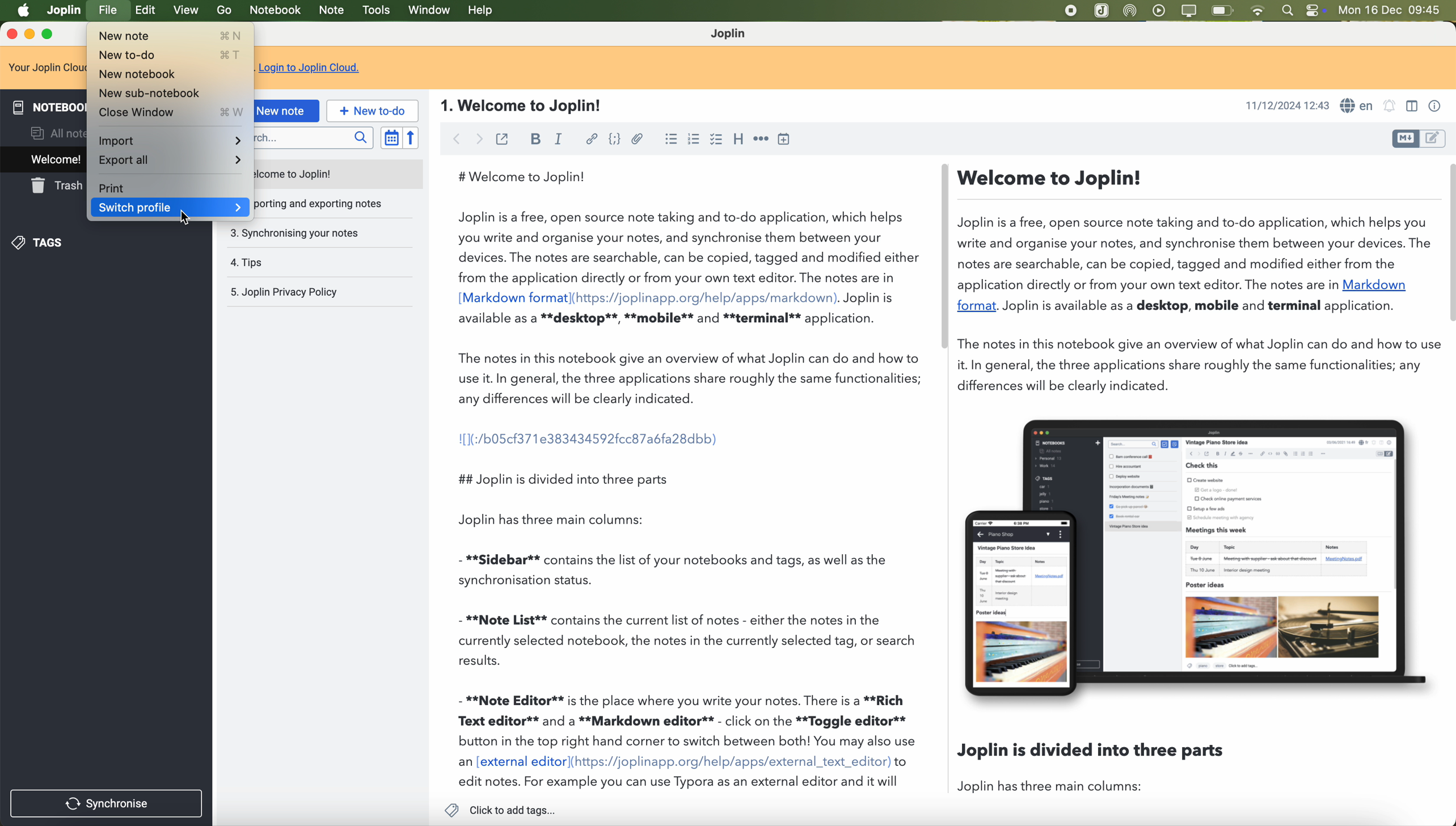 The image size is (1456, 826). Describe the element at coordinates (1446, 244) in the screenshot. I see `scroll bar` at that location.